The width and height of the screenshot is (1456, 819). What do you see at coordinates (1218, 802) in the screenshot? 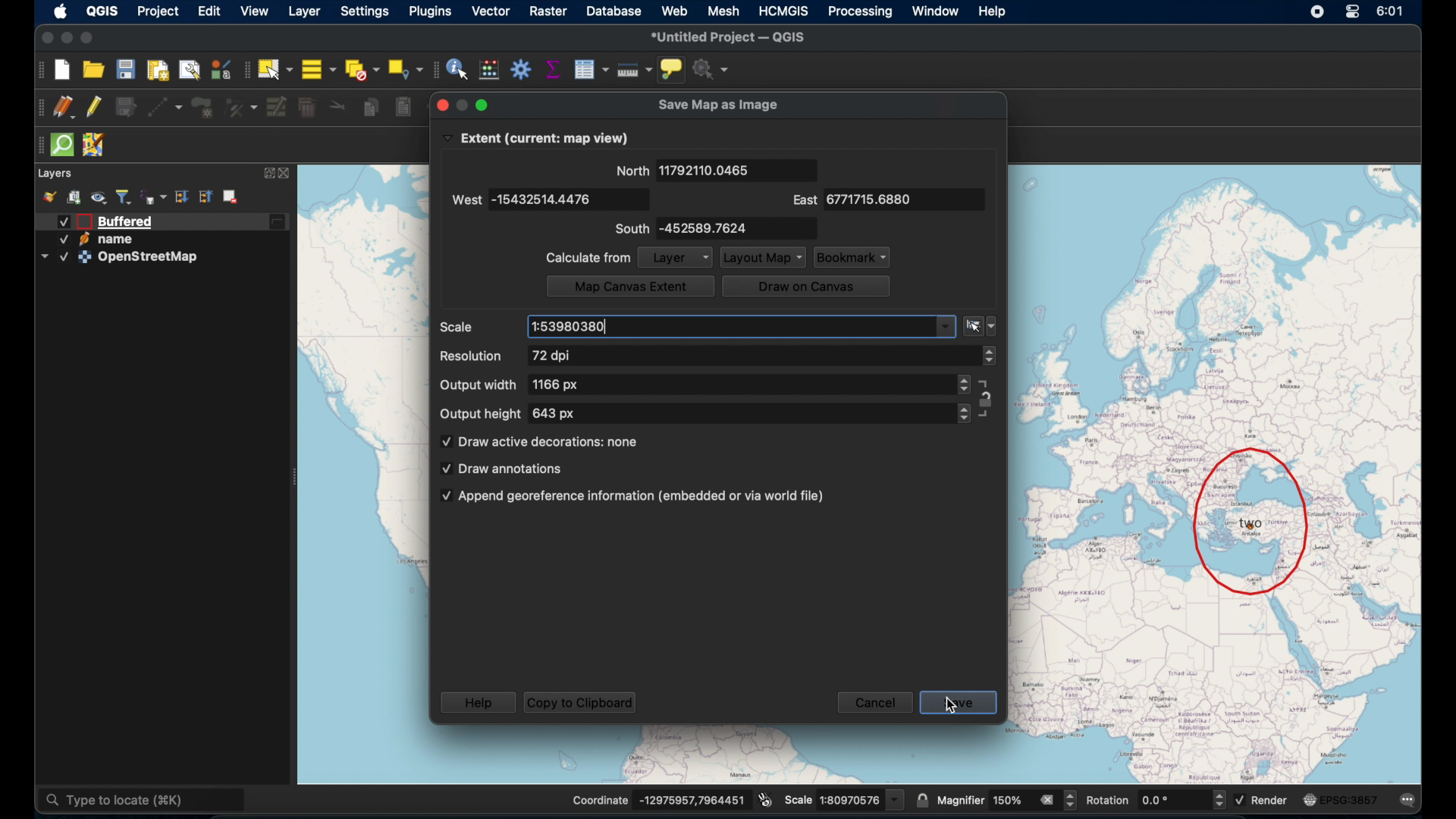
I see `Increase and decrease rotation value` at bounding box center [1218, 802].